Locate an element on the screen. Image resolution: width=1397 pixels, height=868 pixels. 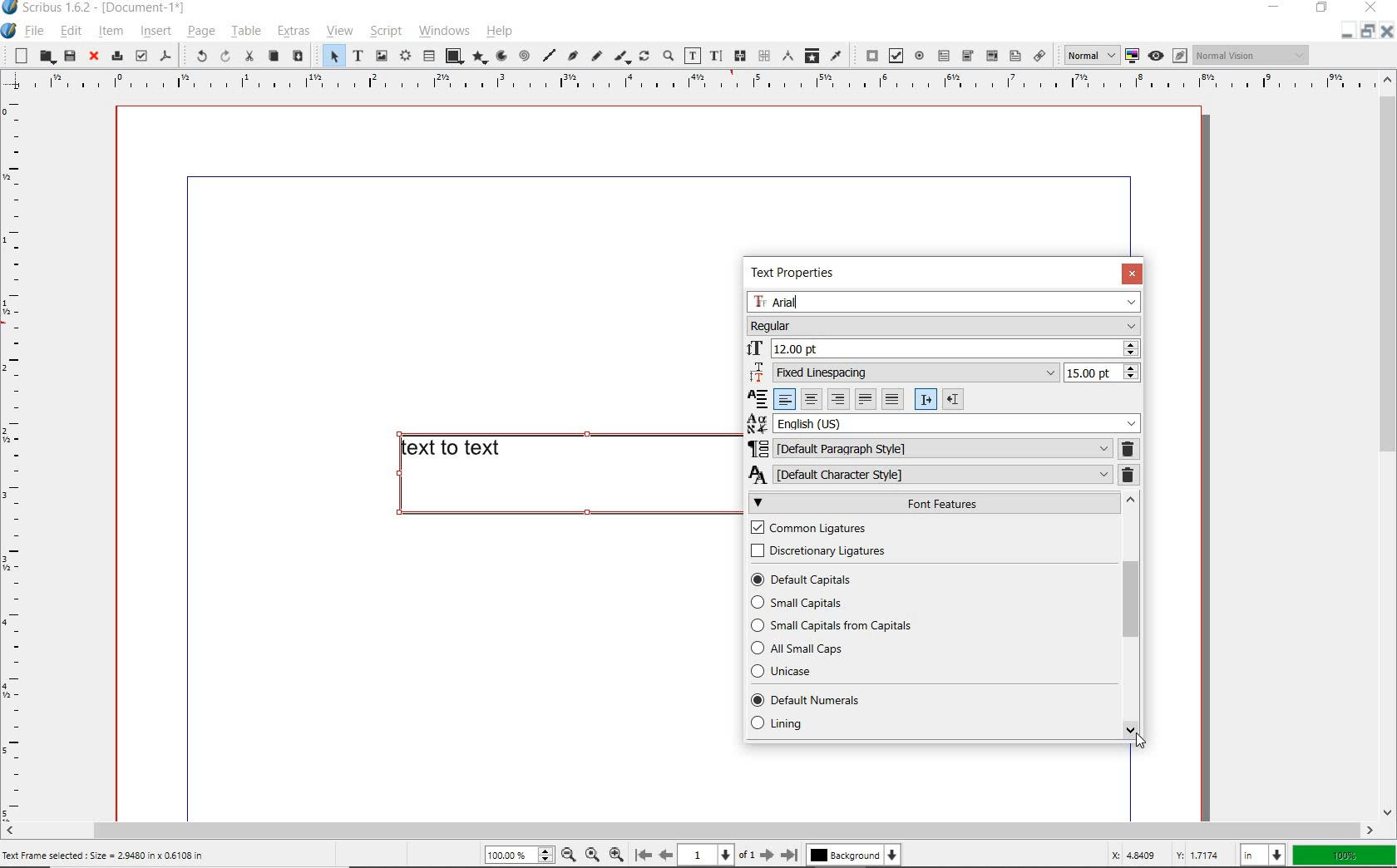
render frame is located at coordinates (405, 57).